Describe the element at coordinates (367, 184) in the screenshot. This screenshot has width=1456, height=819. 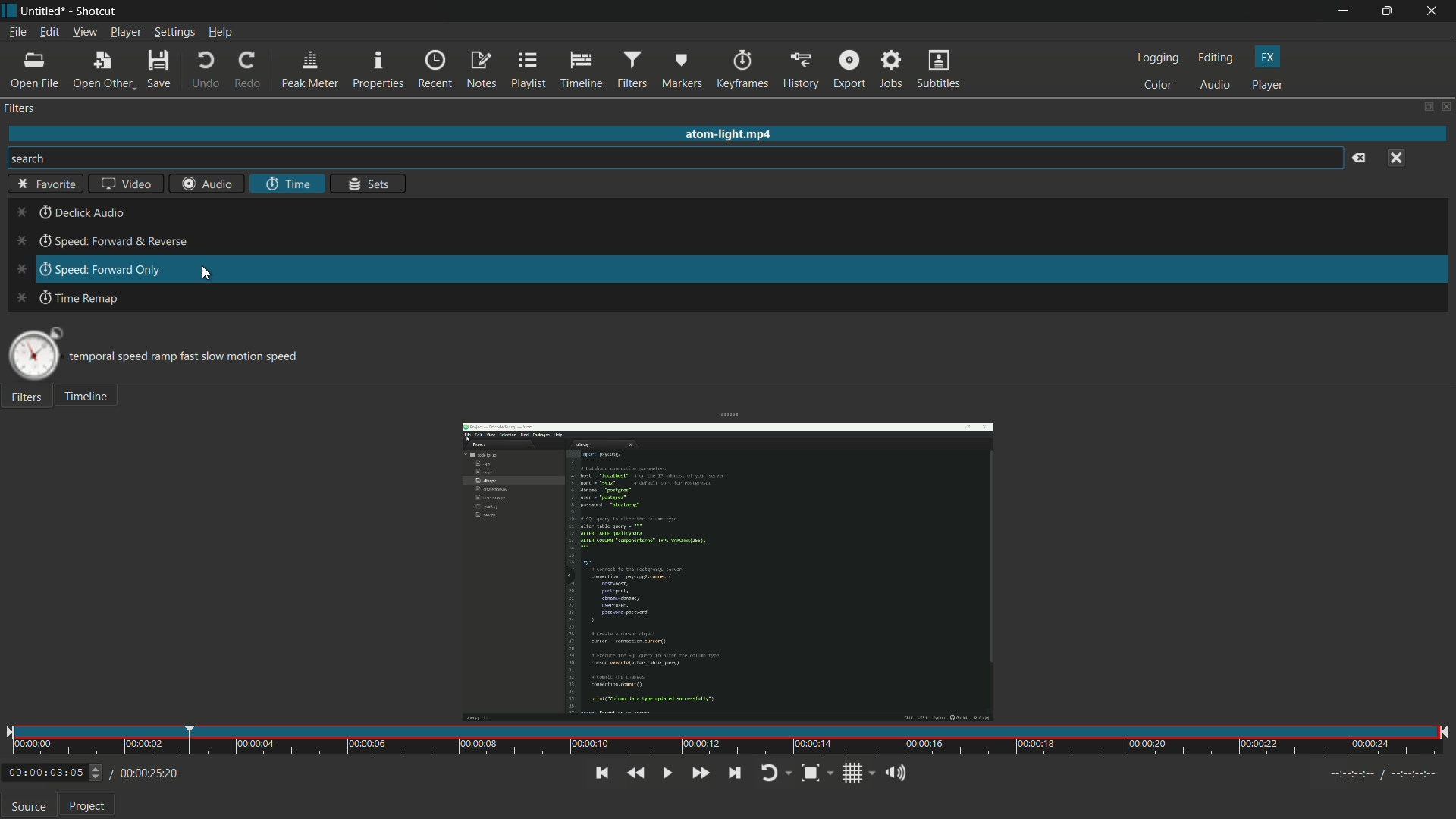
I see `sets` at that location.